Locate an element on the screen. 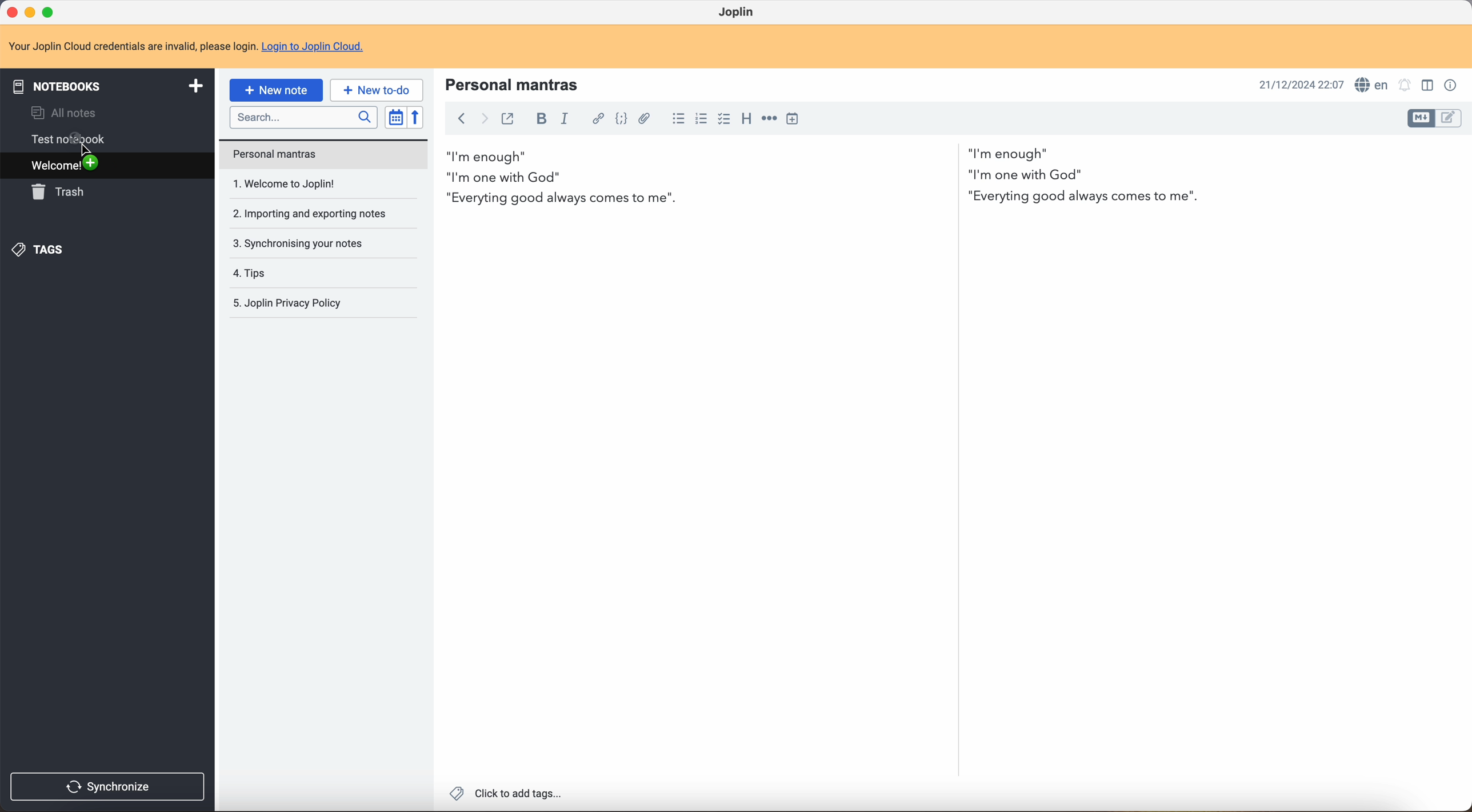  insert time is located at coordinates (795, 119).